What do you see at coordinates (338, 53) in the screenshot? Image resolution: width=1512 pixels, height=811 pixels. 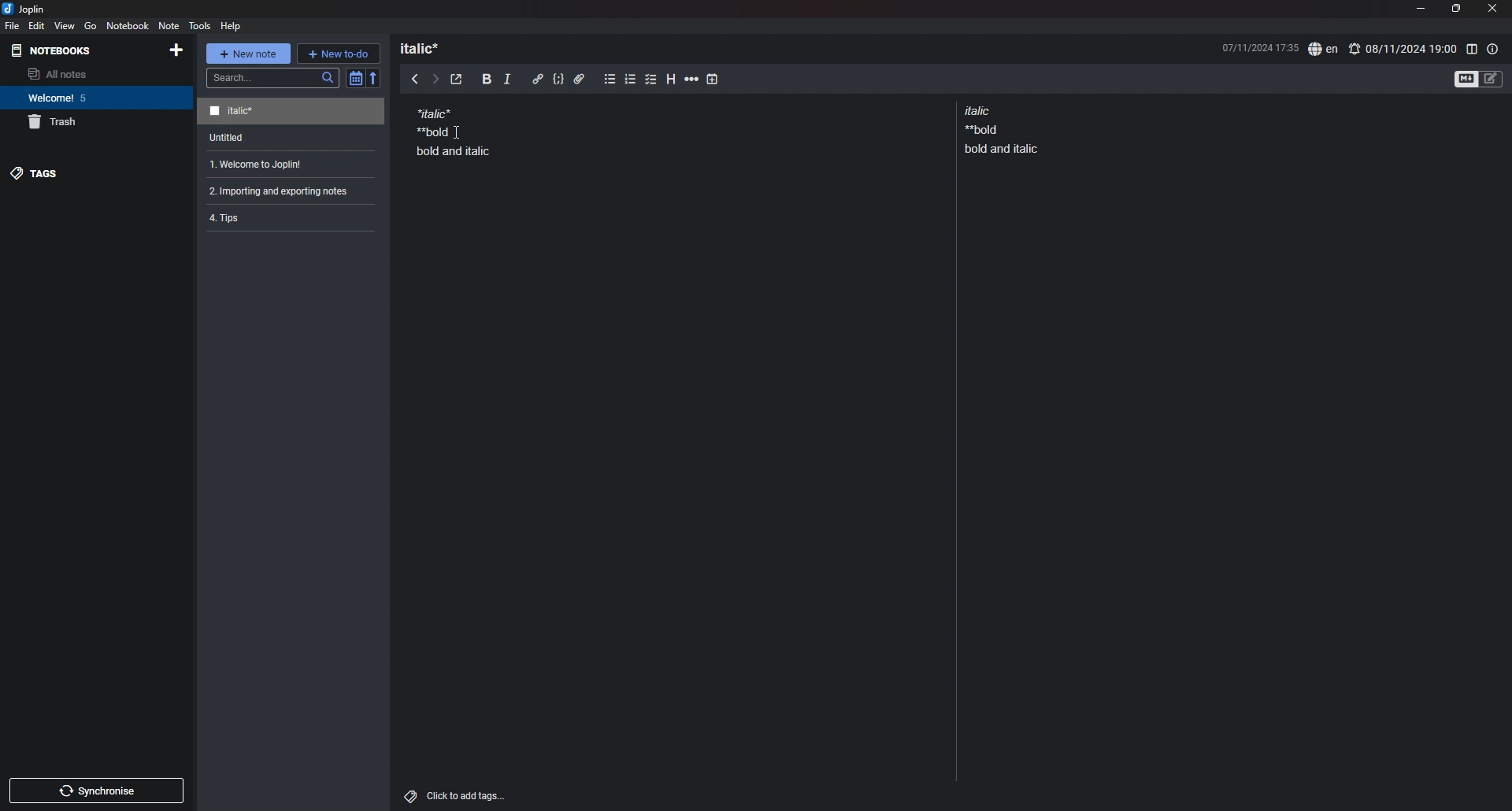 I see `new todo` at bounding box center [338, 53].